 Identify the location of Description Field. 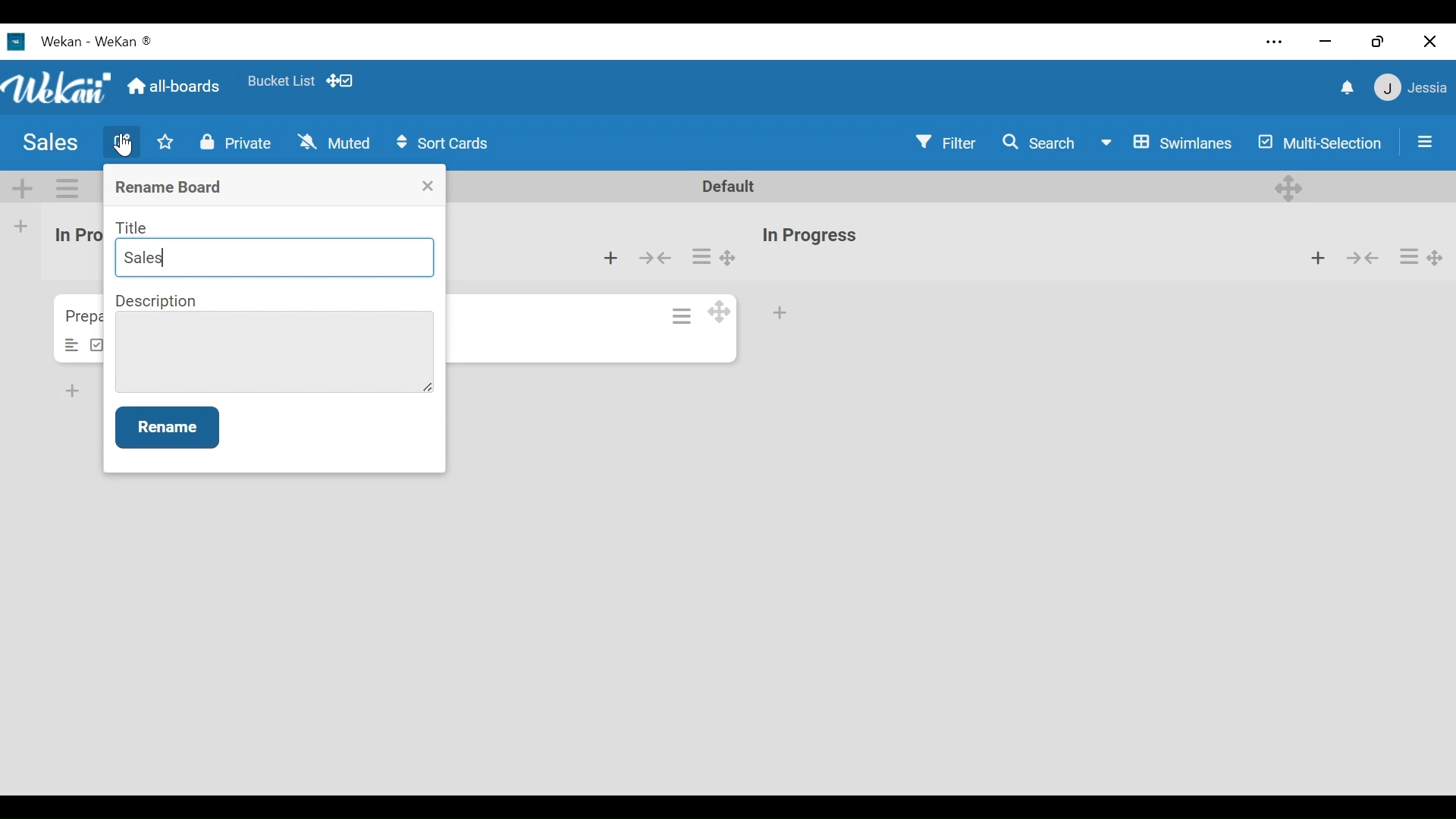
(274, 352).